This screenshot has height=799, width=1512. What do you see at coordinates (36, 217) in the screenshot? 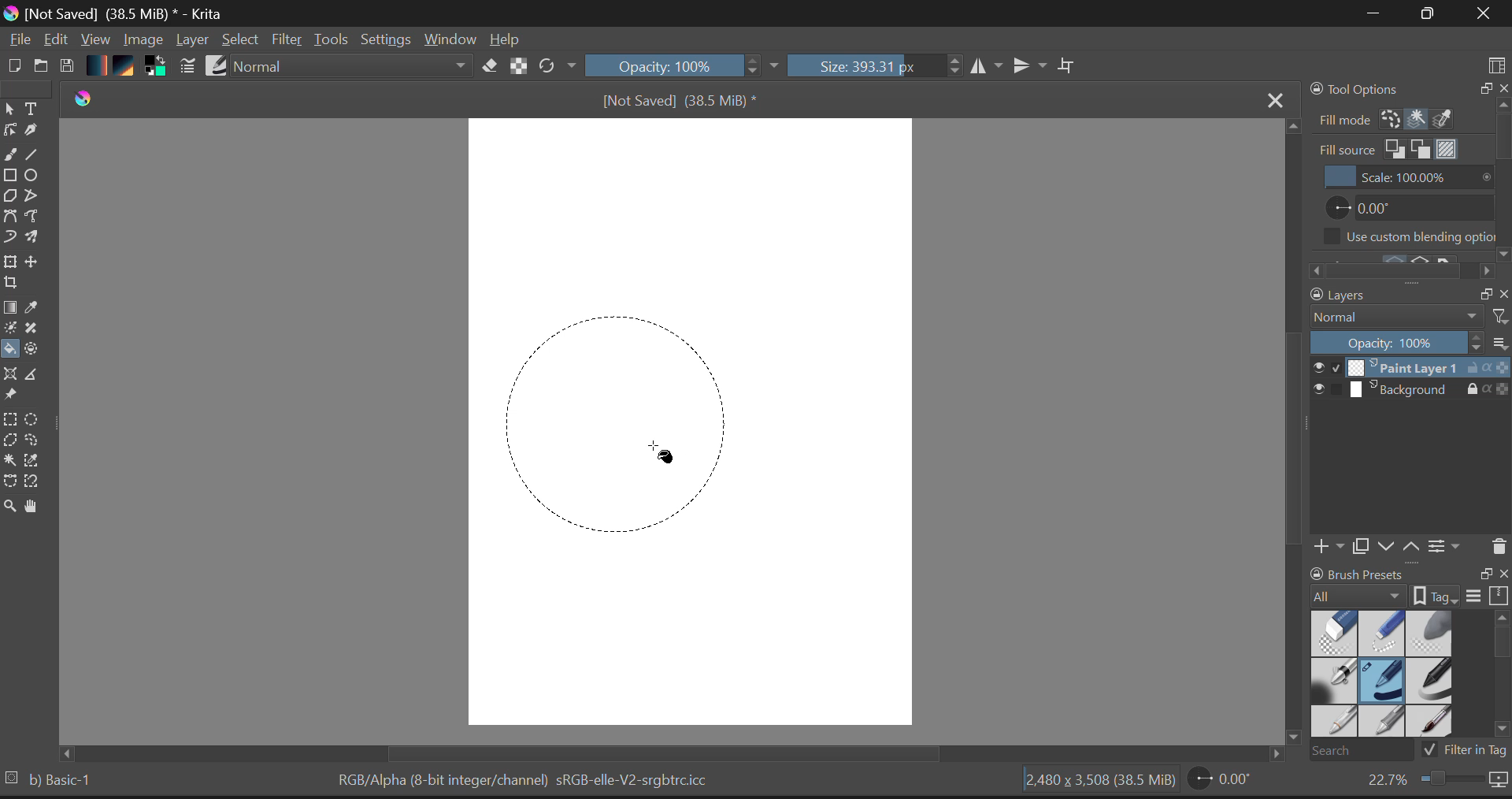
I see `Freehand Path Tool` at bounding box center [36, 217].